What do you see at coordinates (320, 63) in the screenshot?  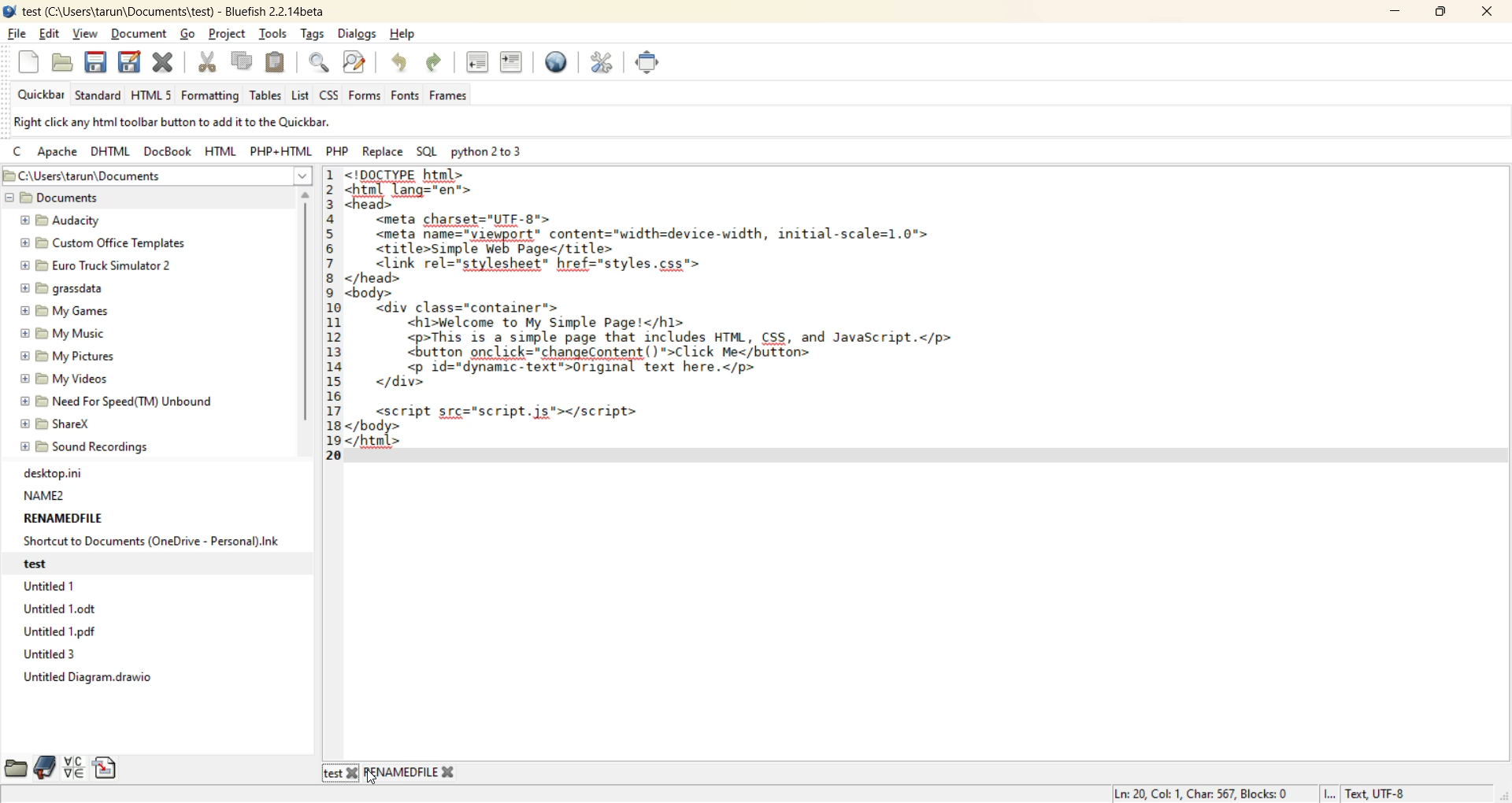 I see `find` at bounding box center [320, 63].